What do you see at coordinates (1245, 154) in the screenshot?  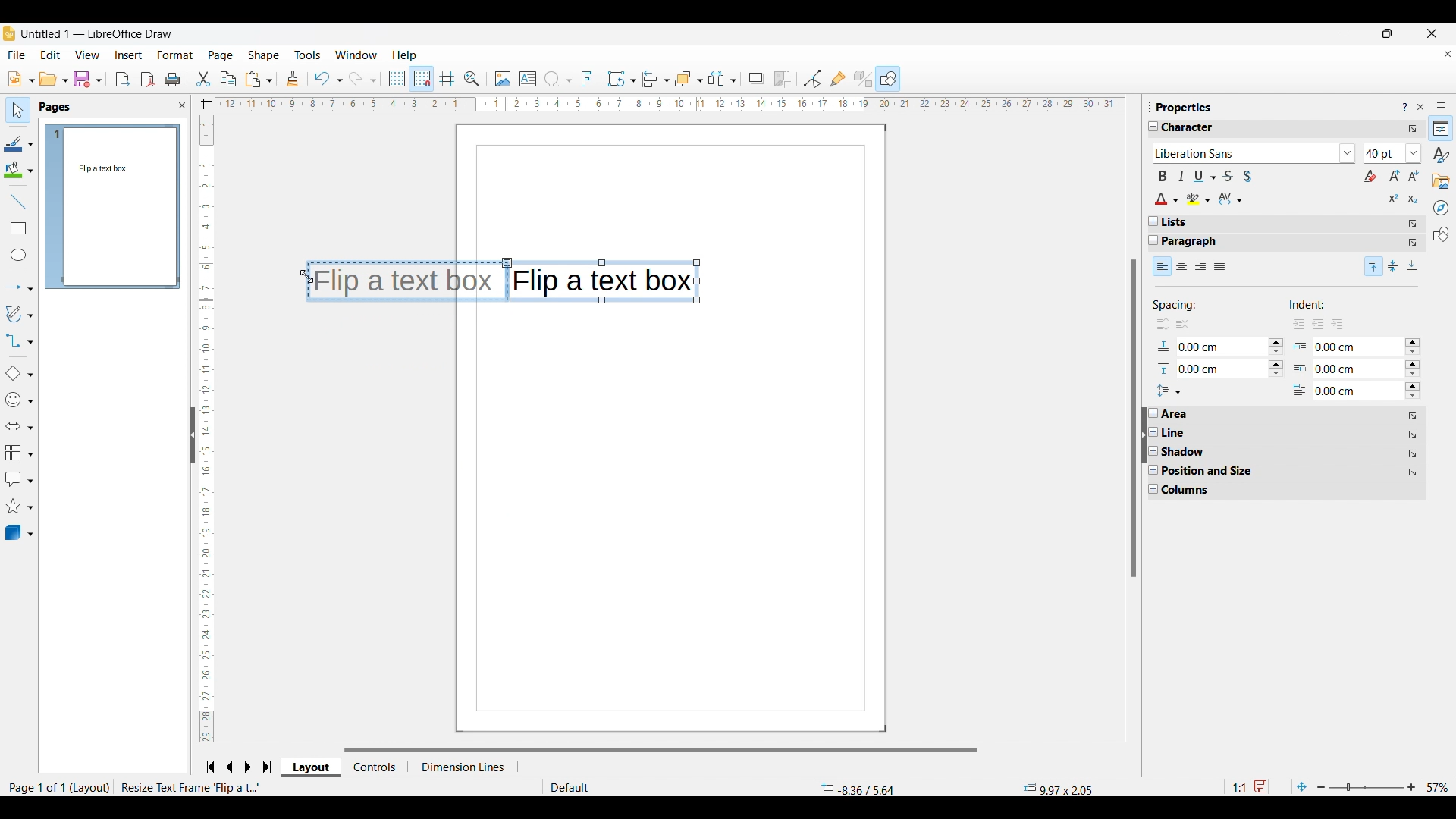 I see `Type in font options` at bounding box center [1245, 154].